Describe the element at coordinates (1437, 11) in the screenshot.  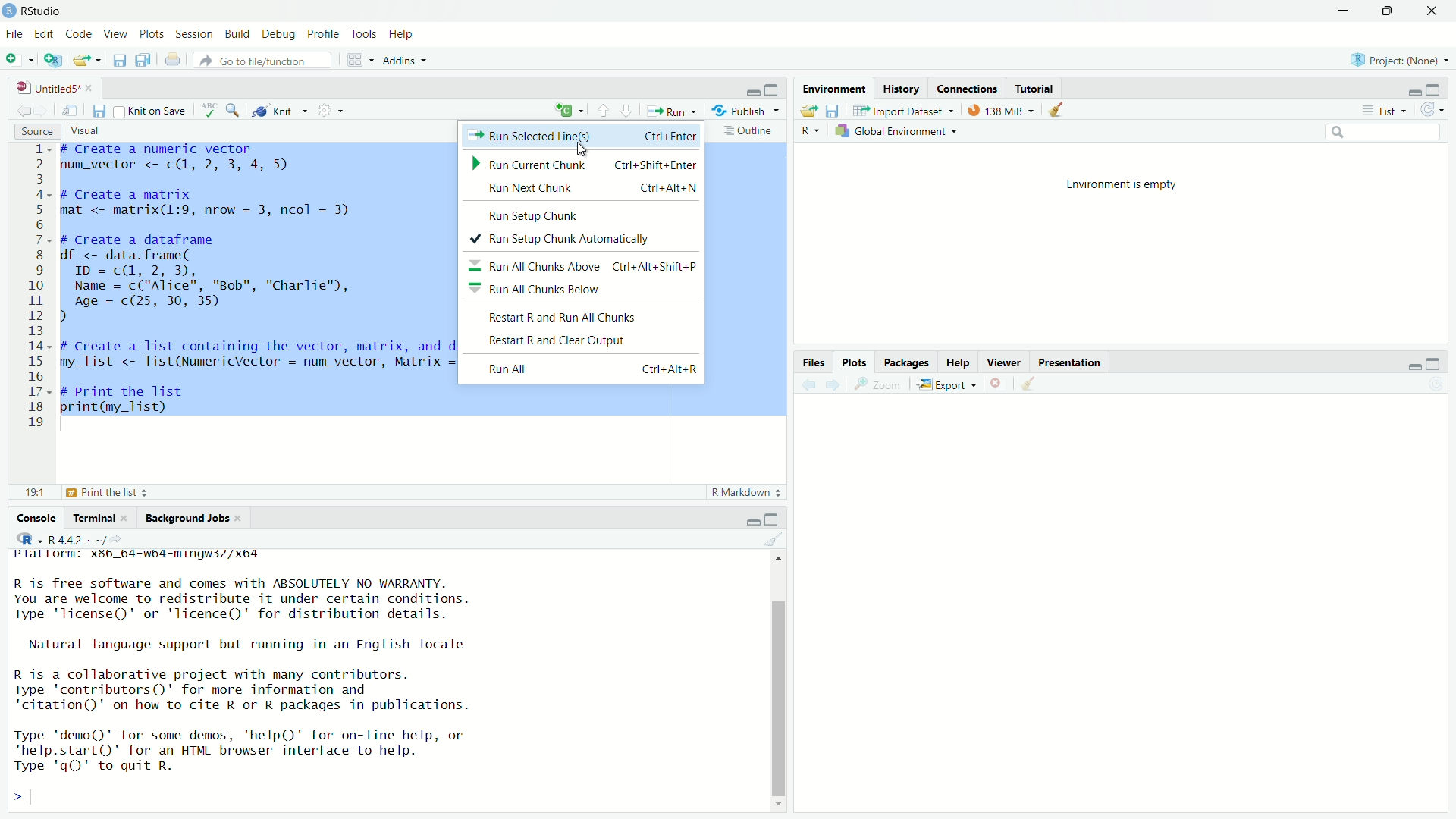
I see `close` at that location.